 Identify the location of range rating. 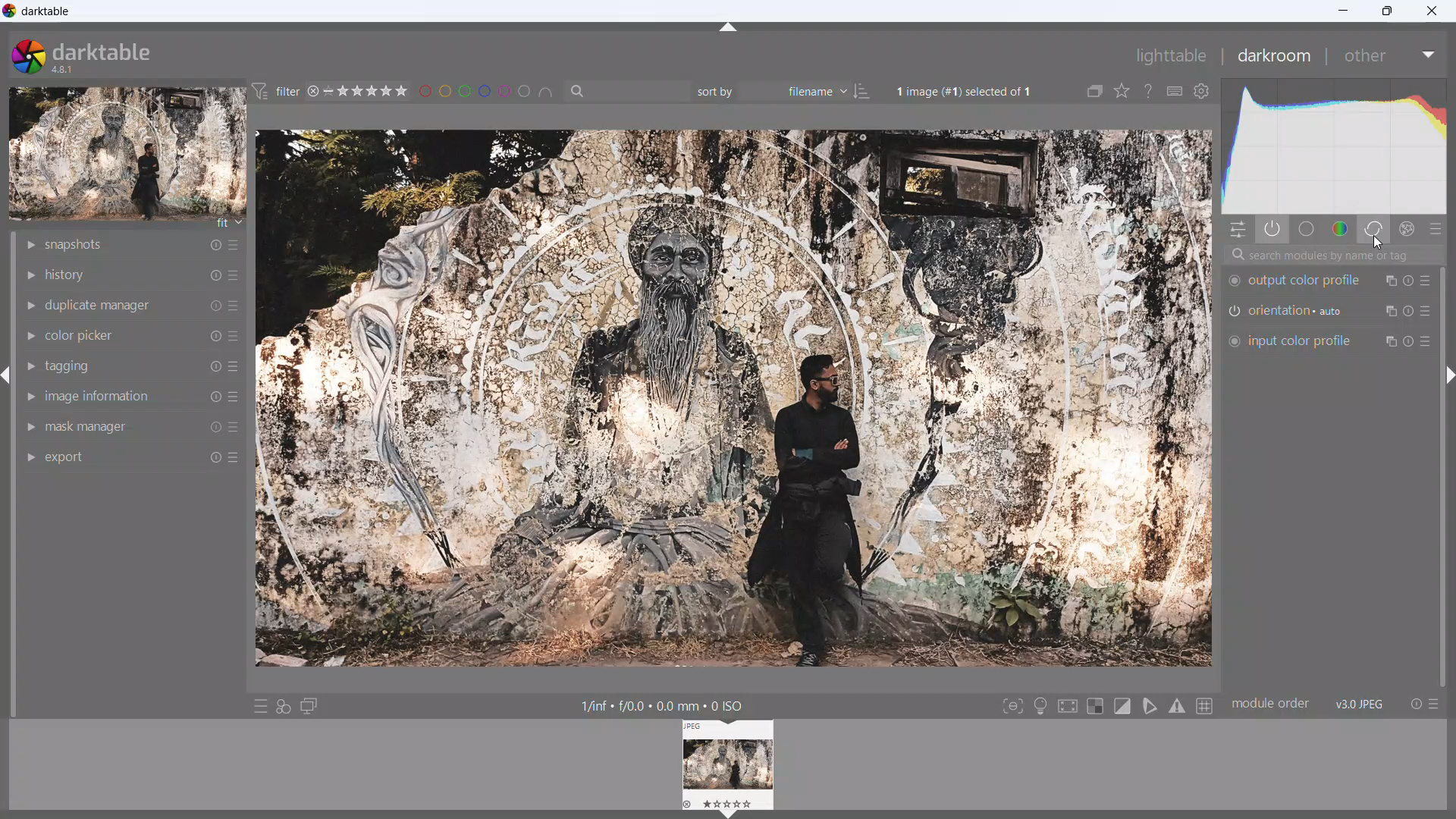
(376, 93).